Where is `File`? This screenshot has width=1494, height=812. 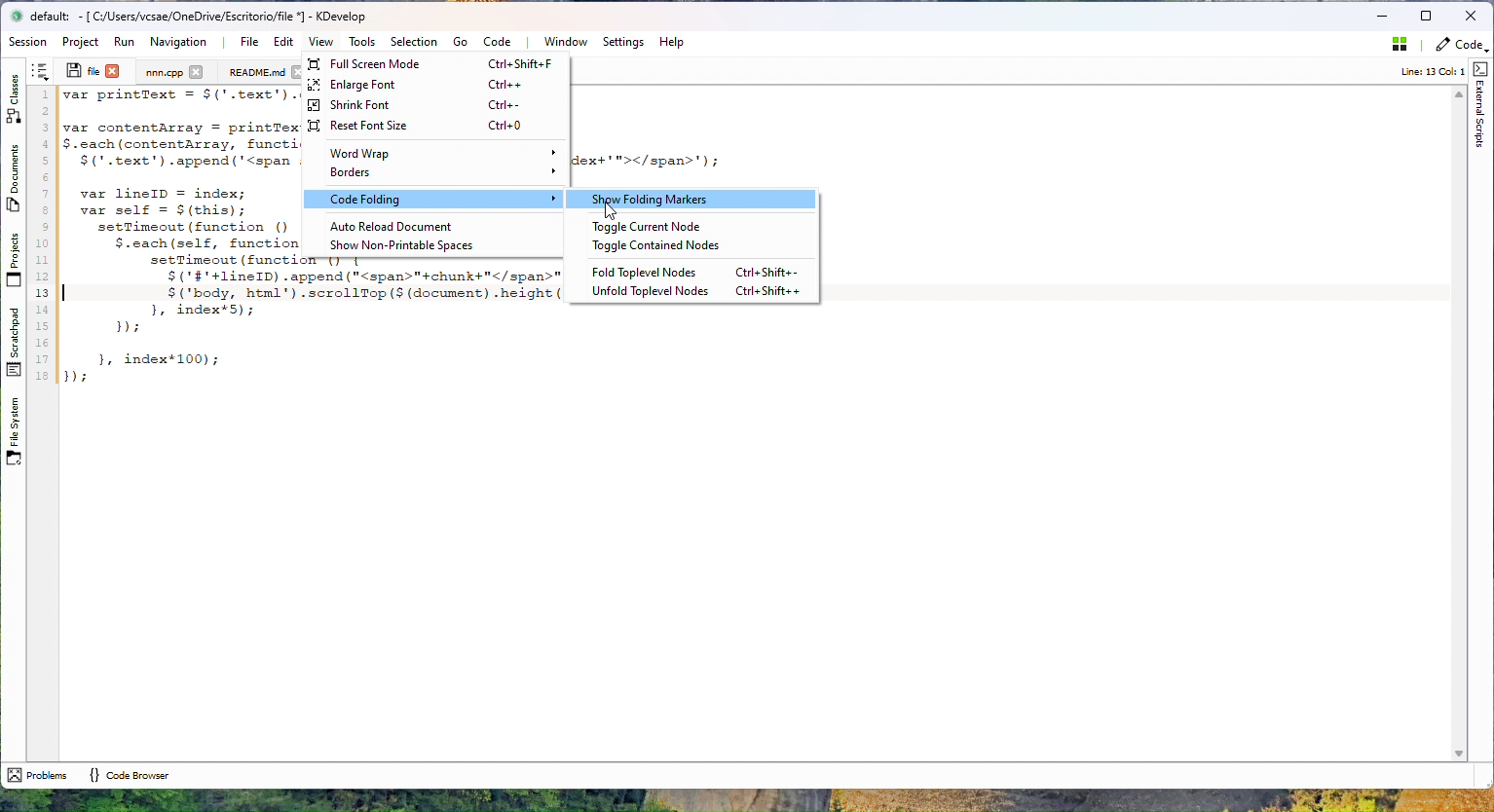
File is located at coordinates (248, 42).